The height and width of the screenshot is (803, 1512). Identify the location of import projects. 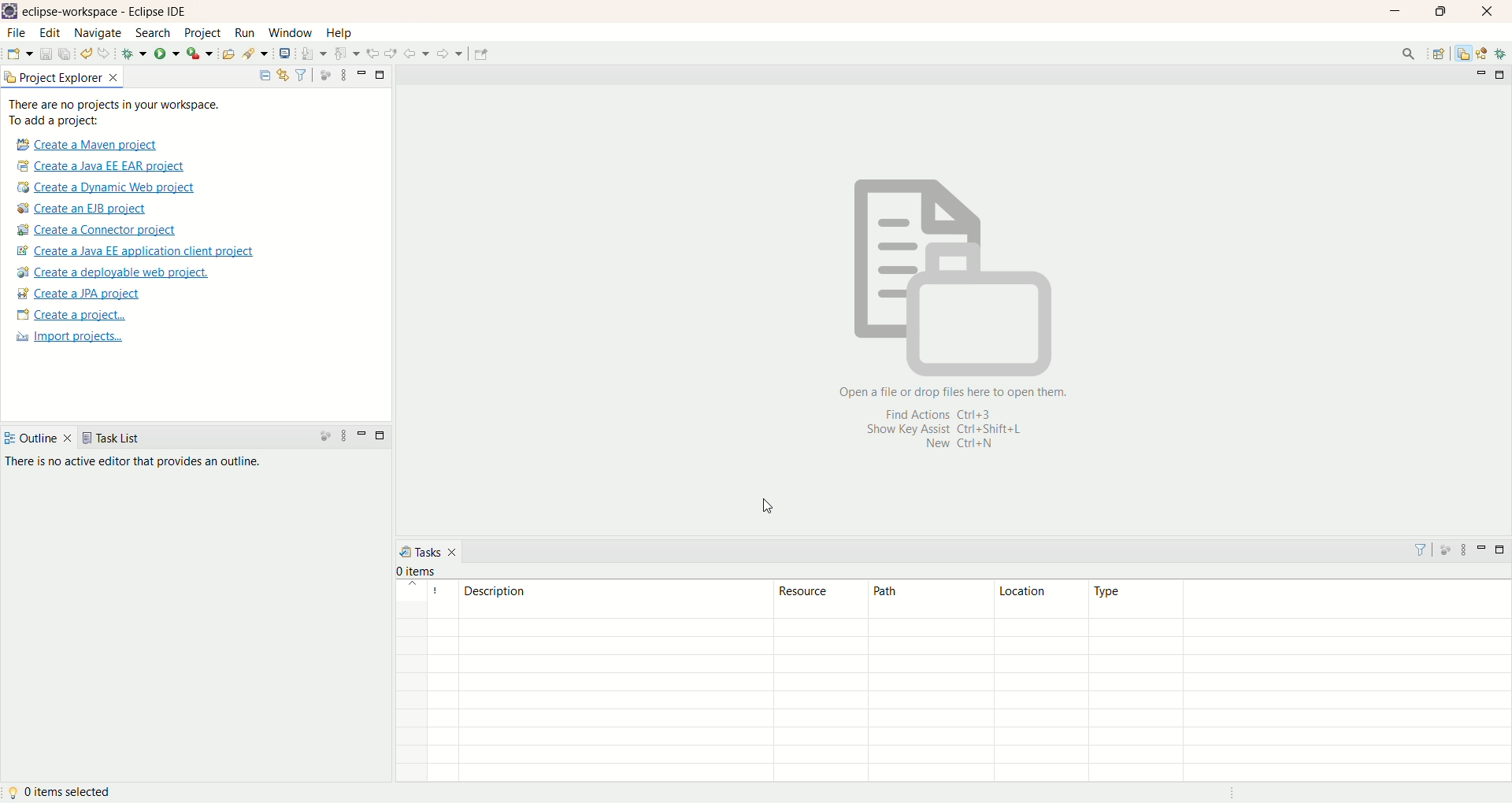
(72, 338).